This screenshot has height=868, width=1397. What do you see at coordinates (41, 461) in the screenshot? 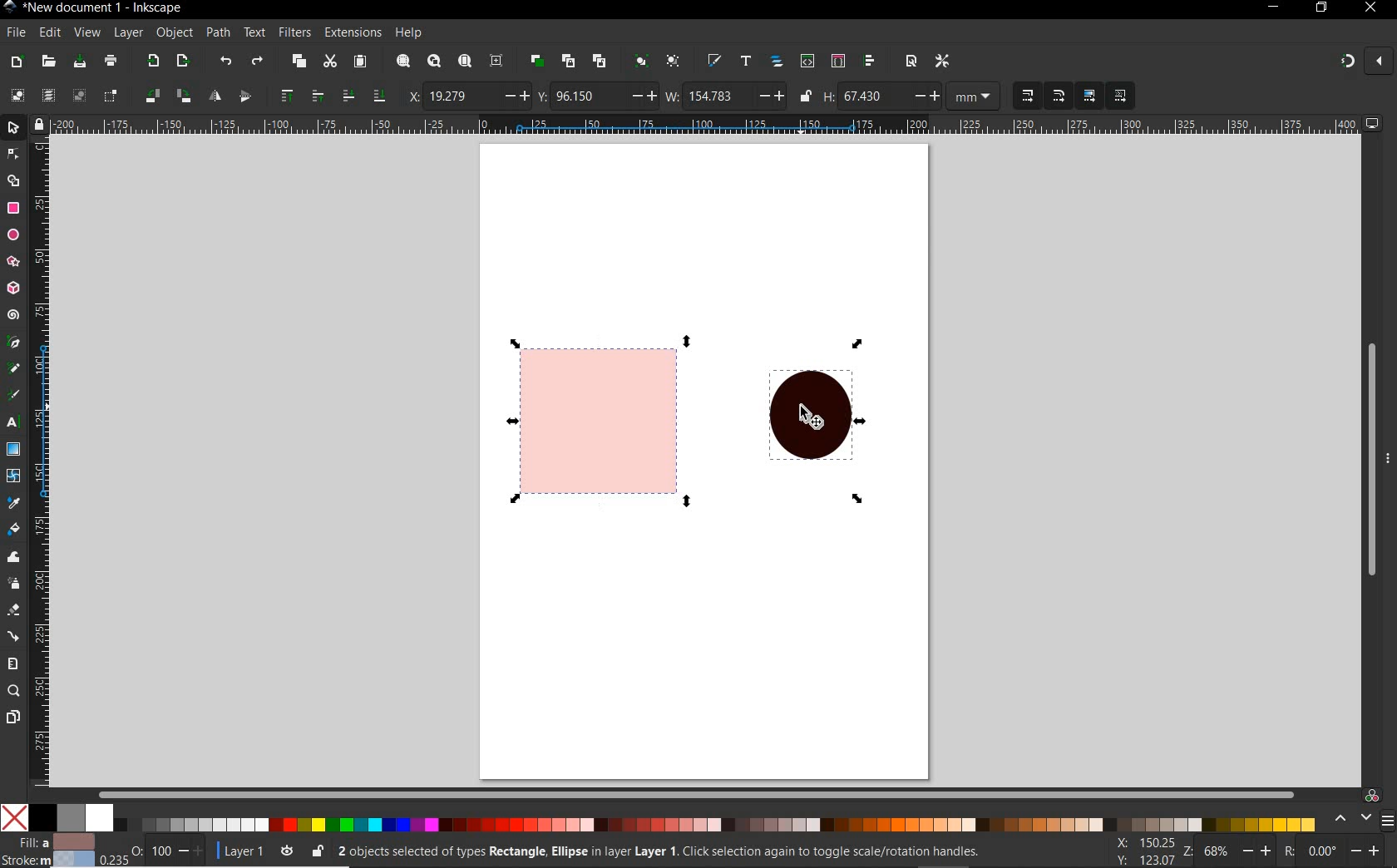
I see `ruler` at bounding box center [41, 461].